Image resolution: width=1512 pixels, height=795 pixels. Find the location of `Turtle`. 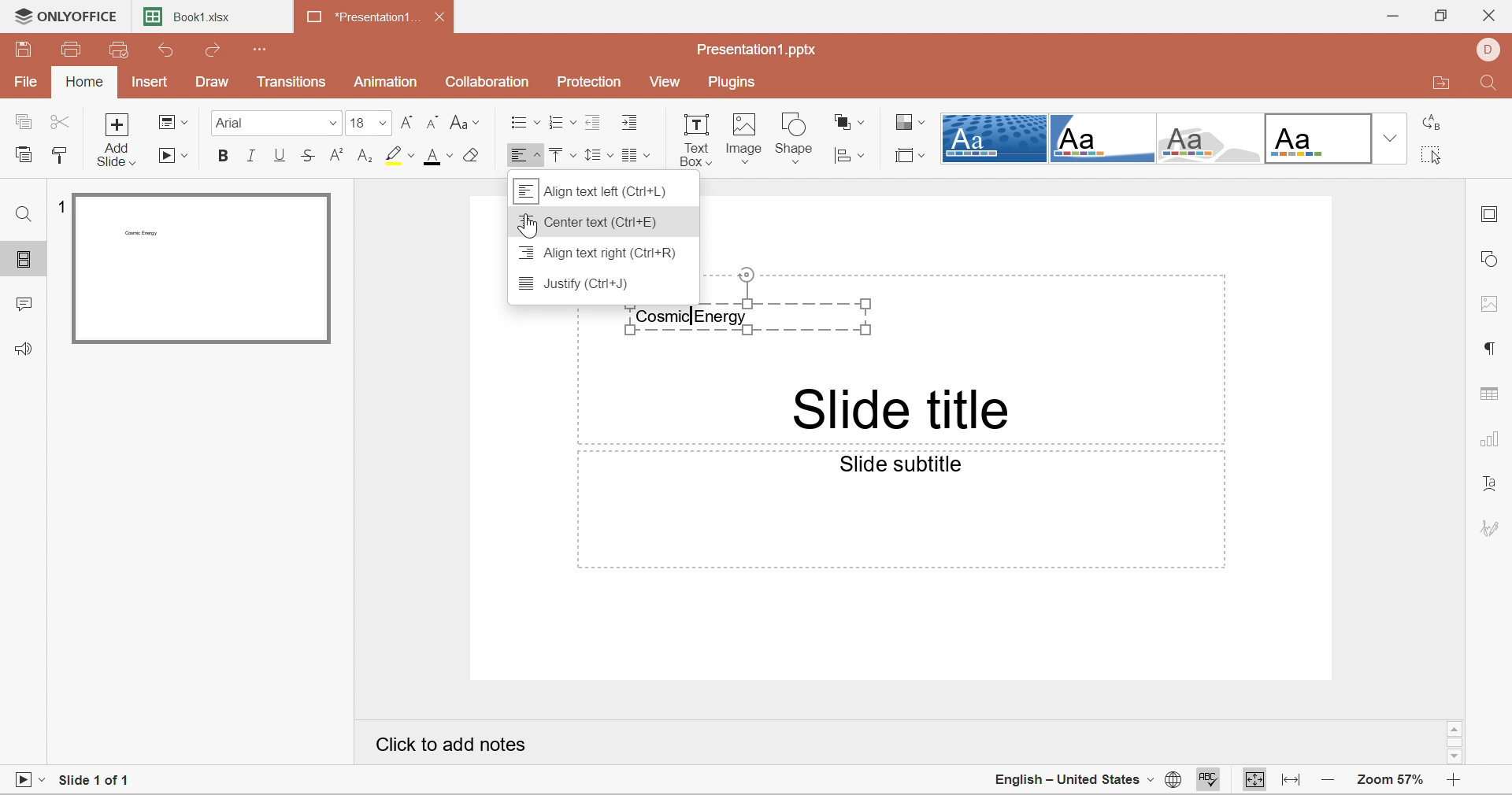

Turtle is located at coordinates (1213, 139).